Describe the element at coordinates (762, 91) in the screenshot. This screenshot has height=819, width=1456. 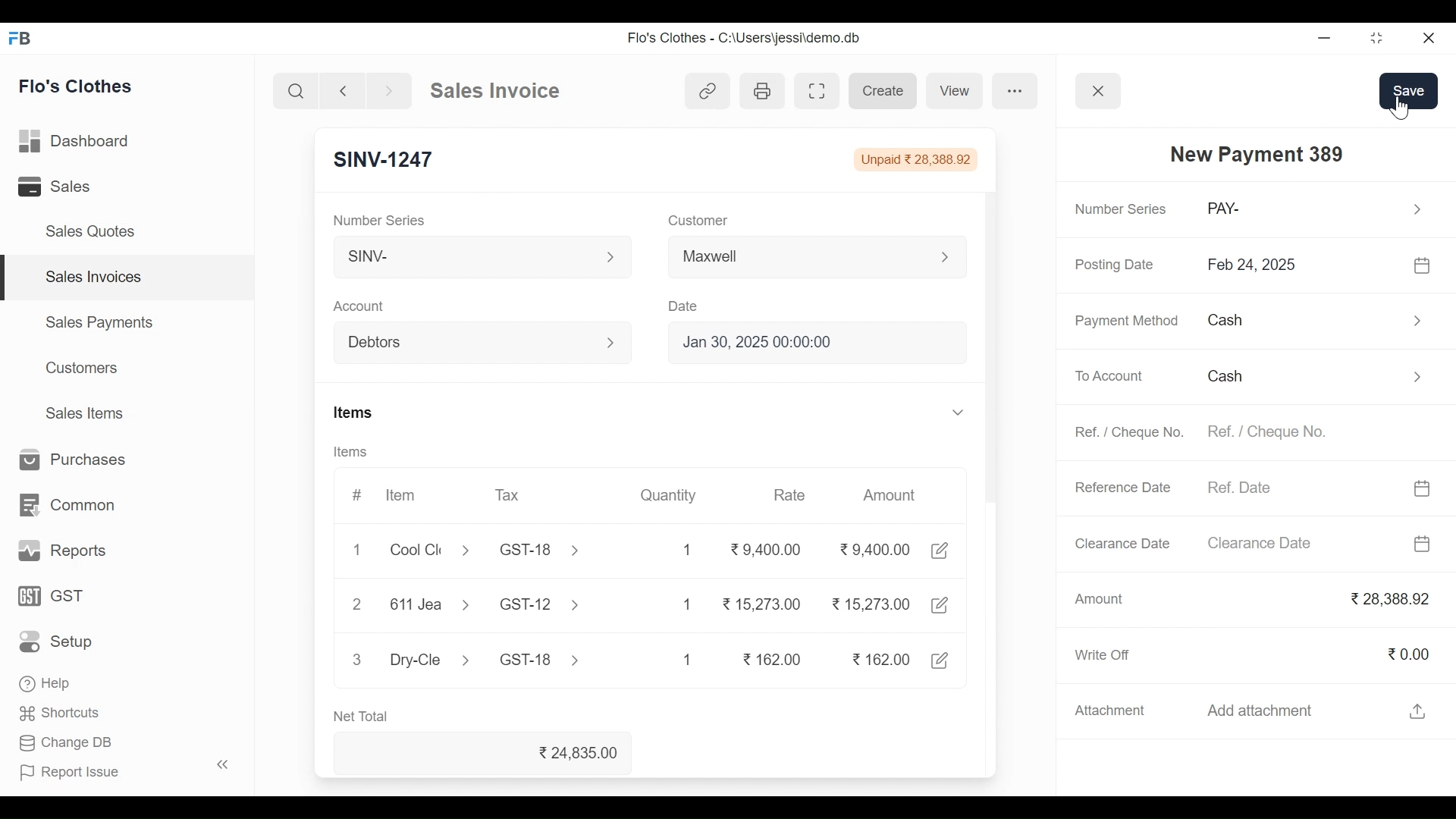
I see `Print` at that location.